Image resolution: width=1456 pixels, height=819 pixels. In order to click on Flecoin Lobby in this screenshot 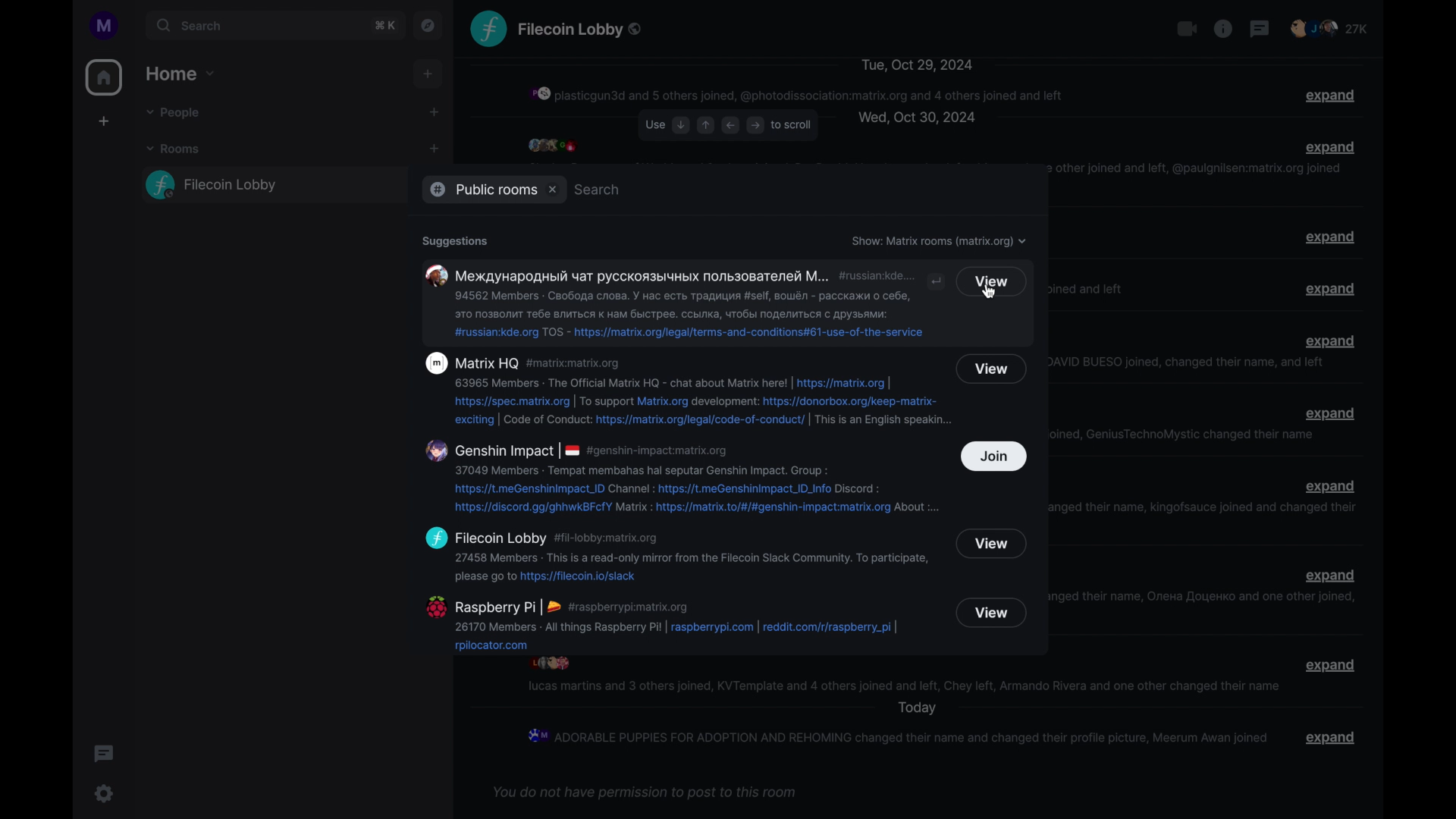, I will do `click(268, 184)`.